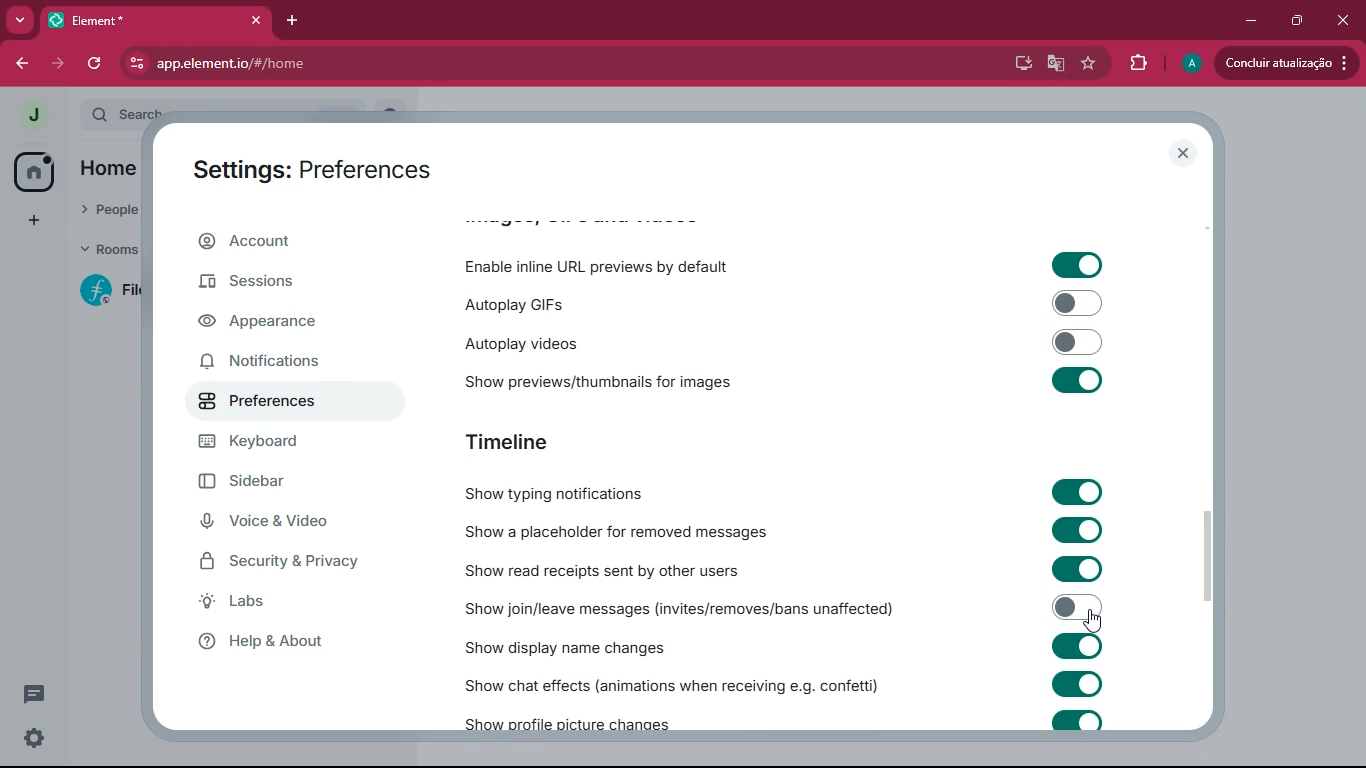 The height and width of the screenshot is (768, 1366). Describe the element at coordinates (1078, 342) in the screenshot. I see `toggle on/off` at that location.